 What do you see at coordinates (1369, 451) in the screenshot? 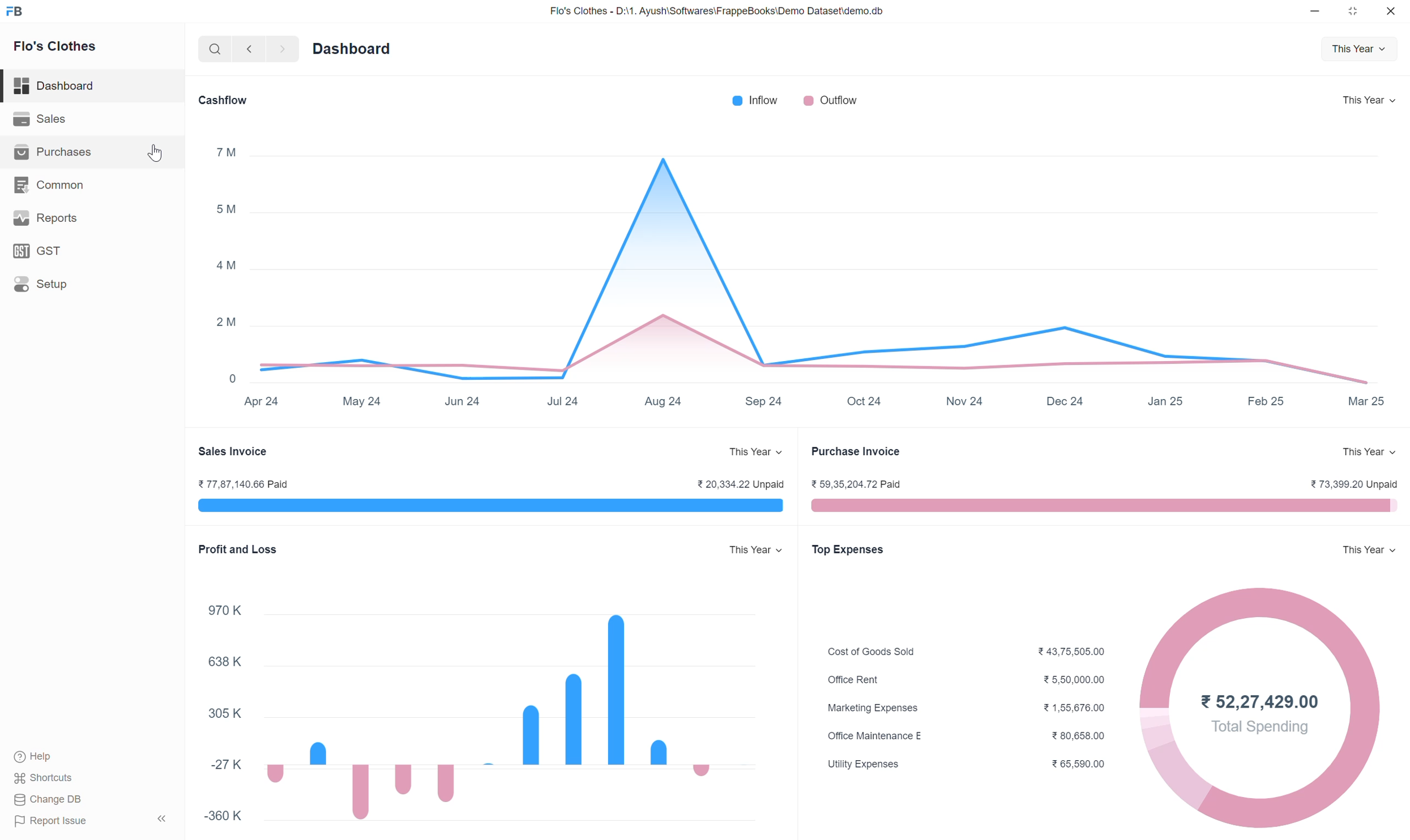
I see `This Year ` at bounding box center [1369, 451].